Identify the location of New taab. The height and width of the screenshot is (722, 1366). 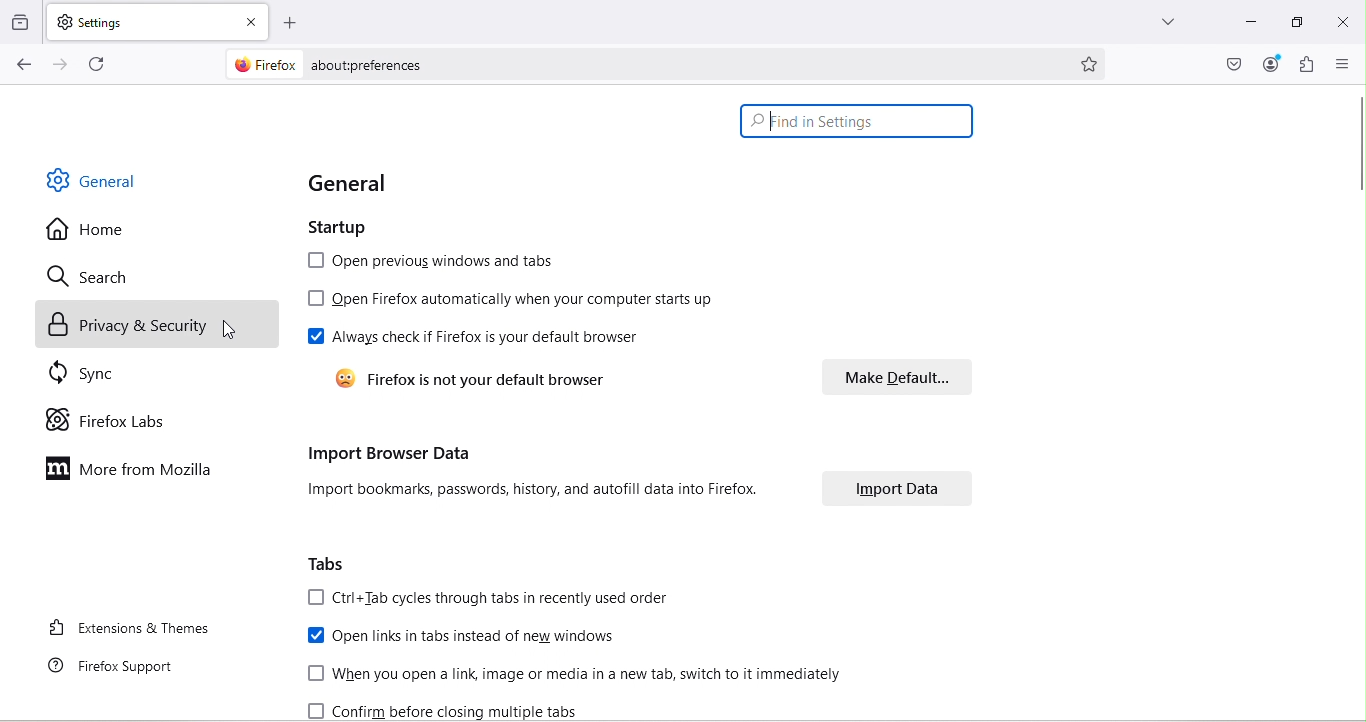
(292, 24).